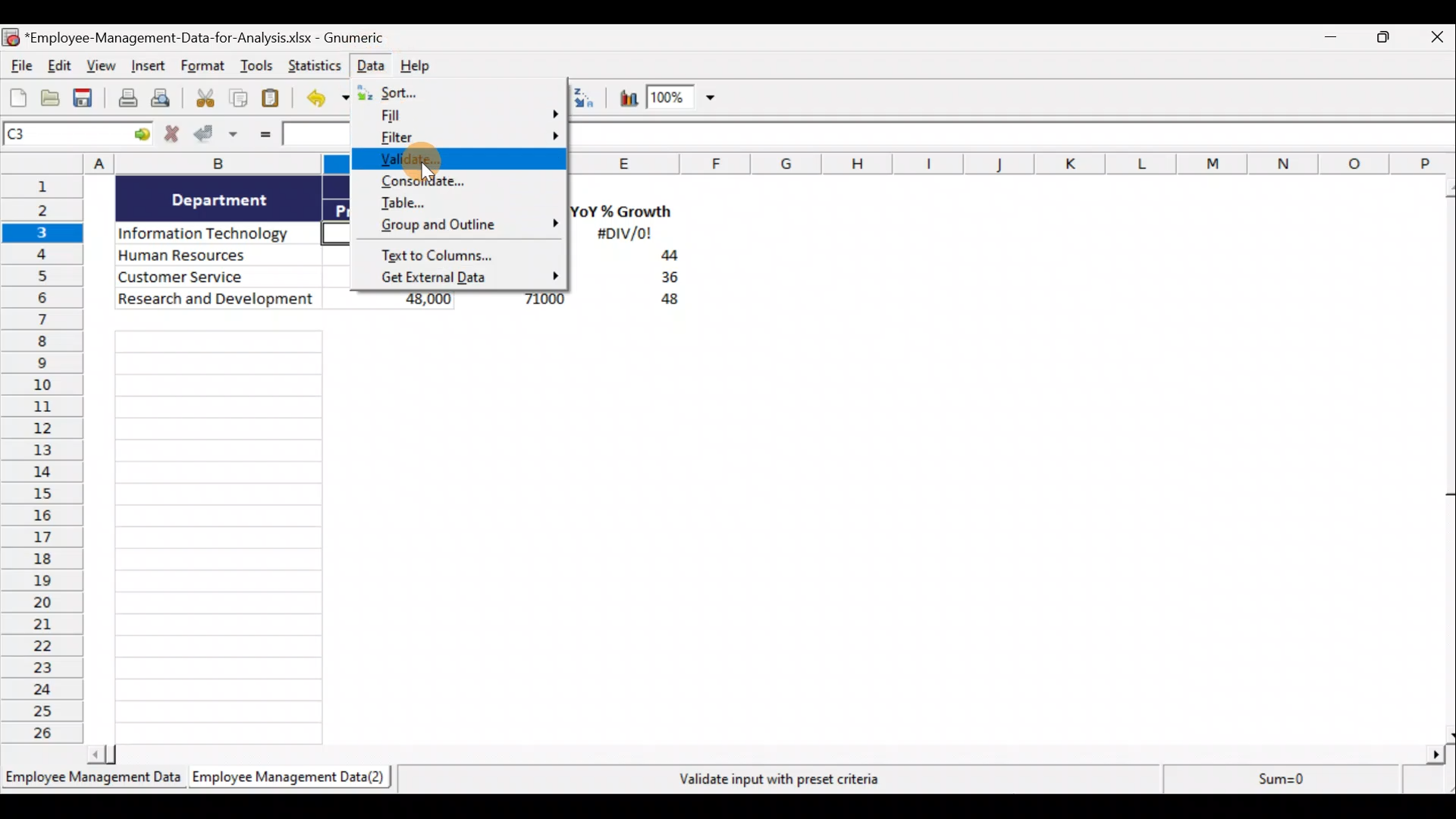  I want to click on Consolidate, so click(457, 182).